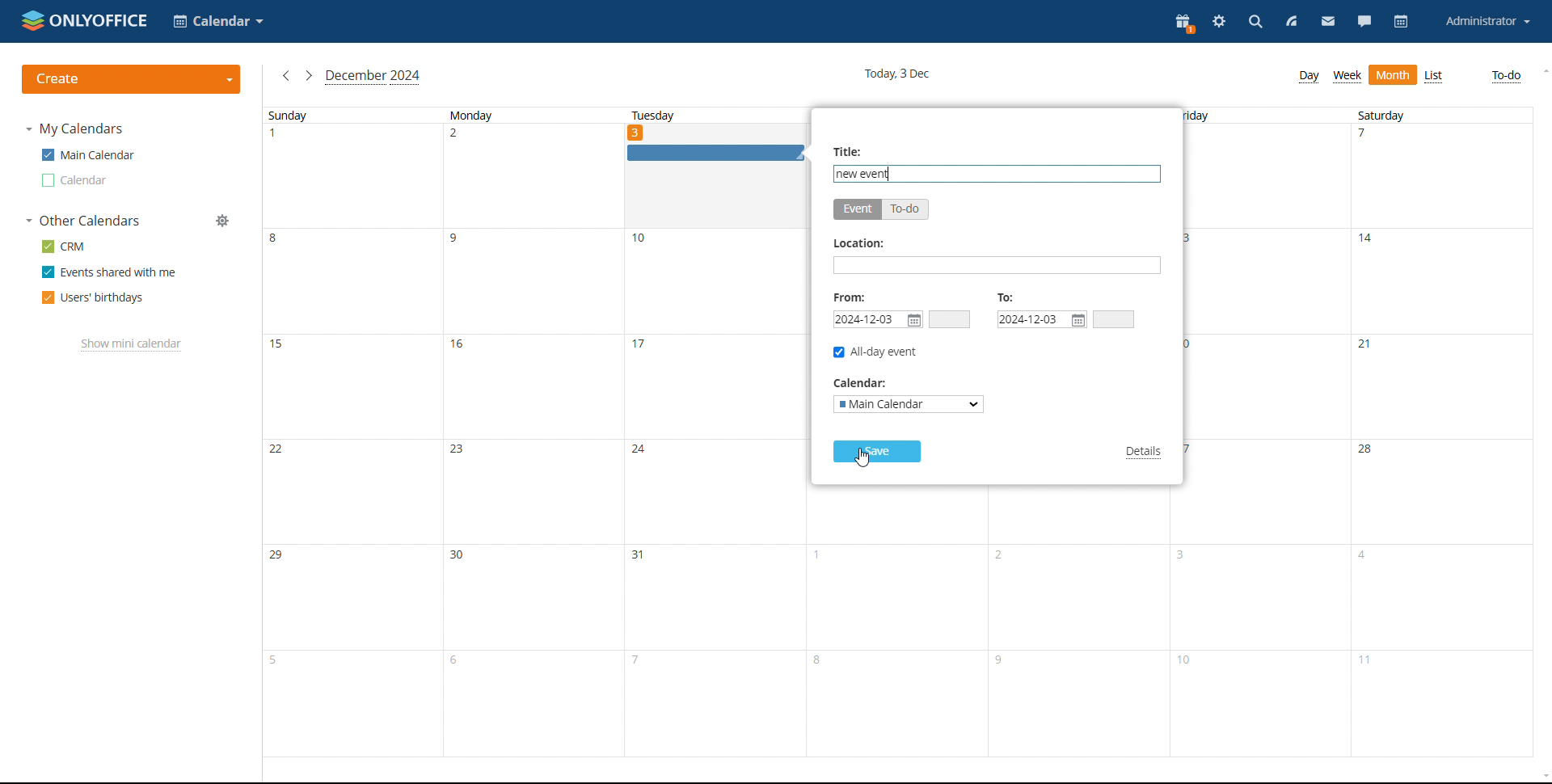 The width and height of the screenshot is (1552, 784). What do you see at coordinates (1394, 75) in the screenshot?
I see `month view` at bounding box center [1394, 75].